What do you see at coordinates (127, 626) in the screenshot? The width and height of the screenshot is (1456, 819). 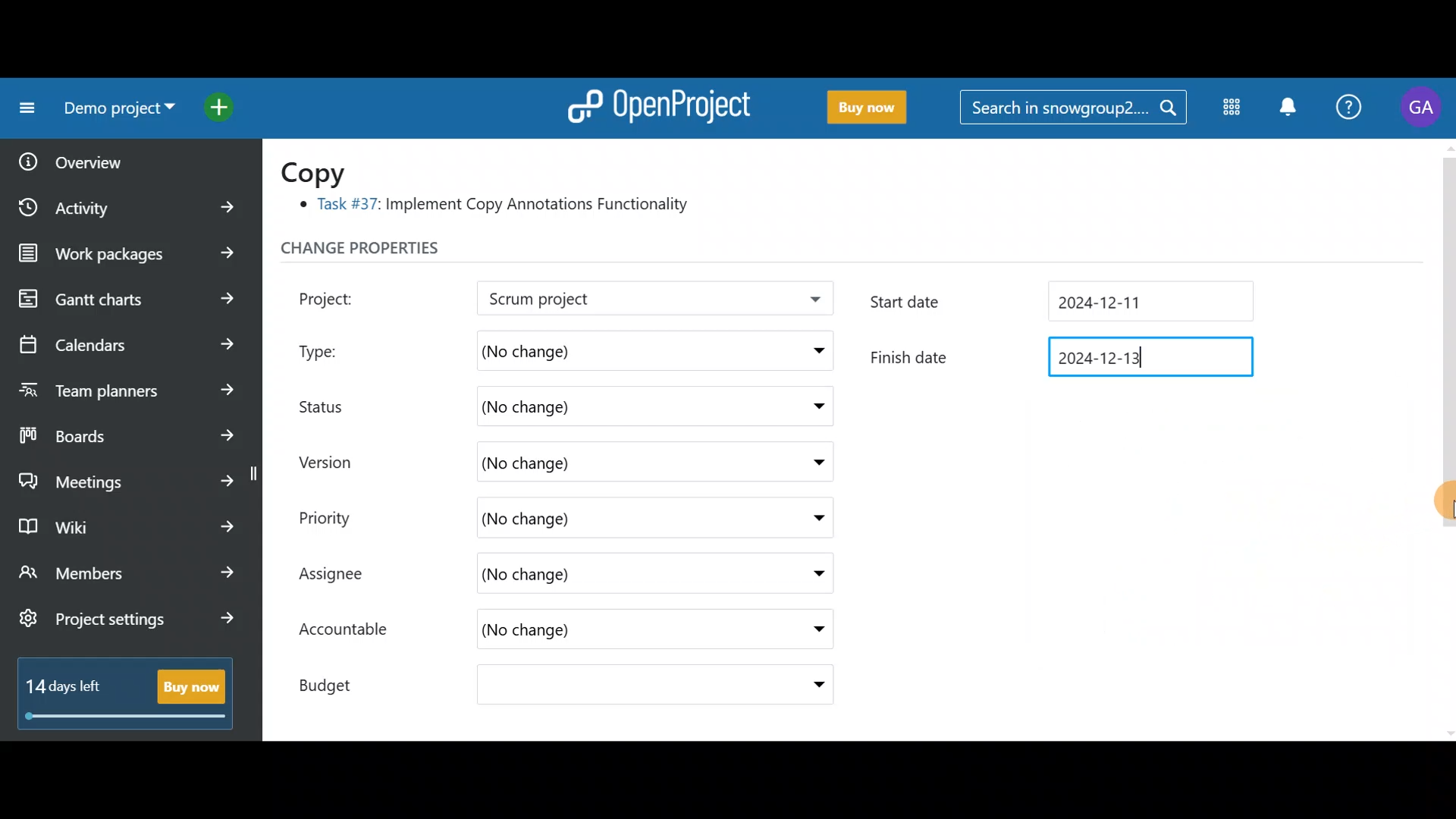 I see `Project settings` at bounding box center [127, 626].